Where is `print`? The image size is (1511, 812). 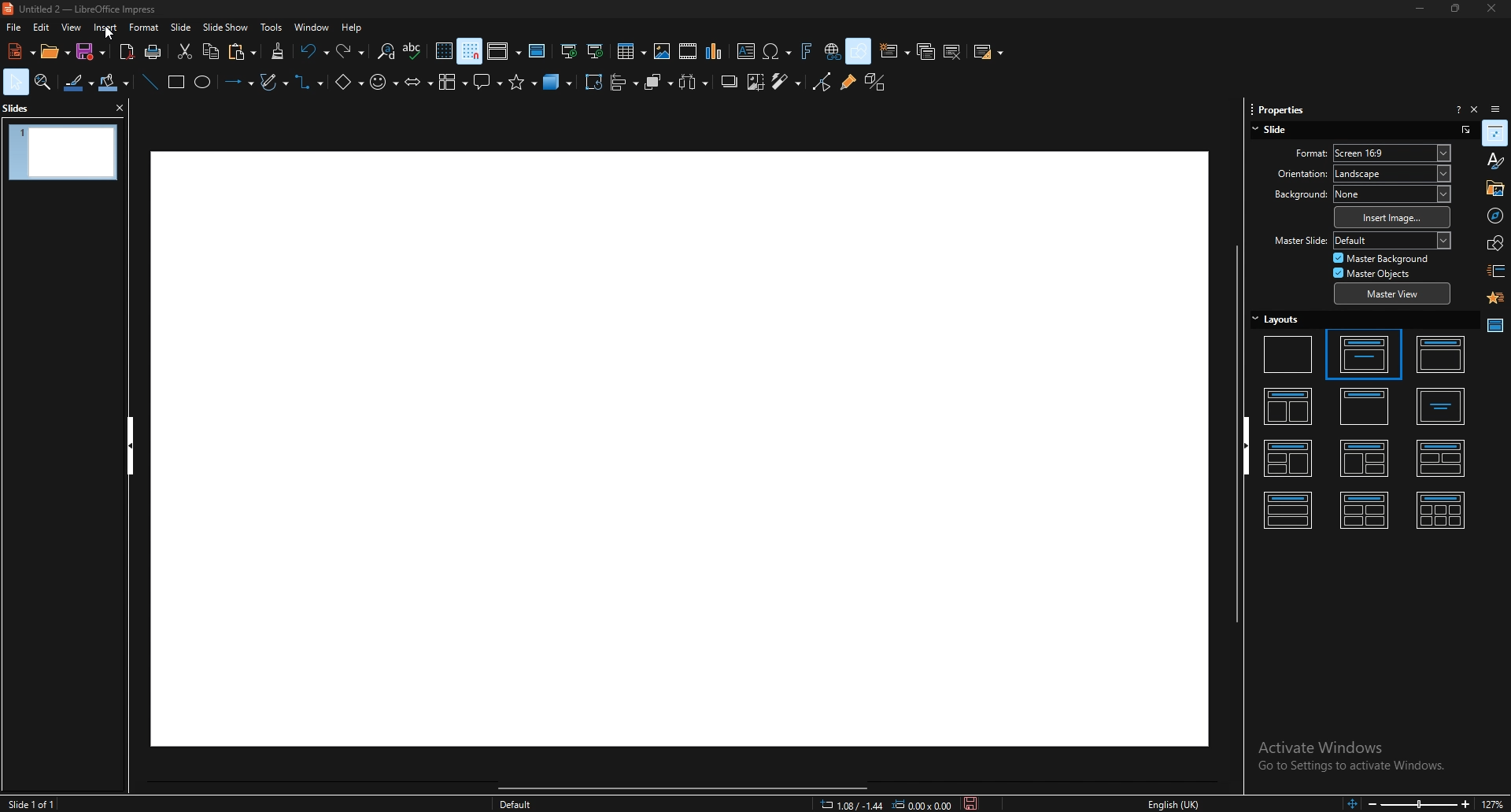 print is located at coordinates (153, 52).